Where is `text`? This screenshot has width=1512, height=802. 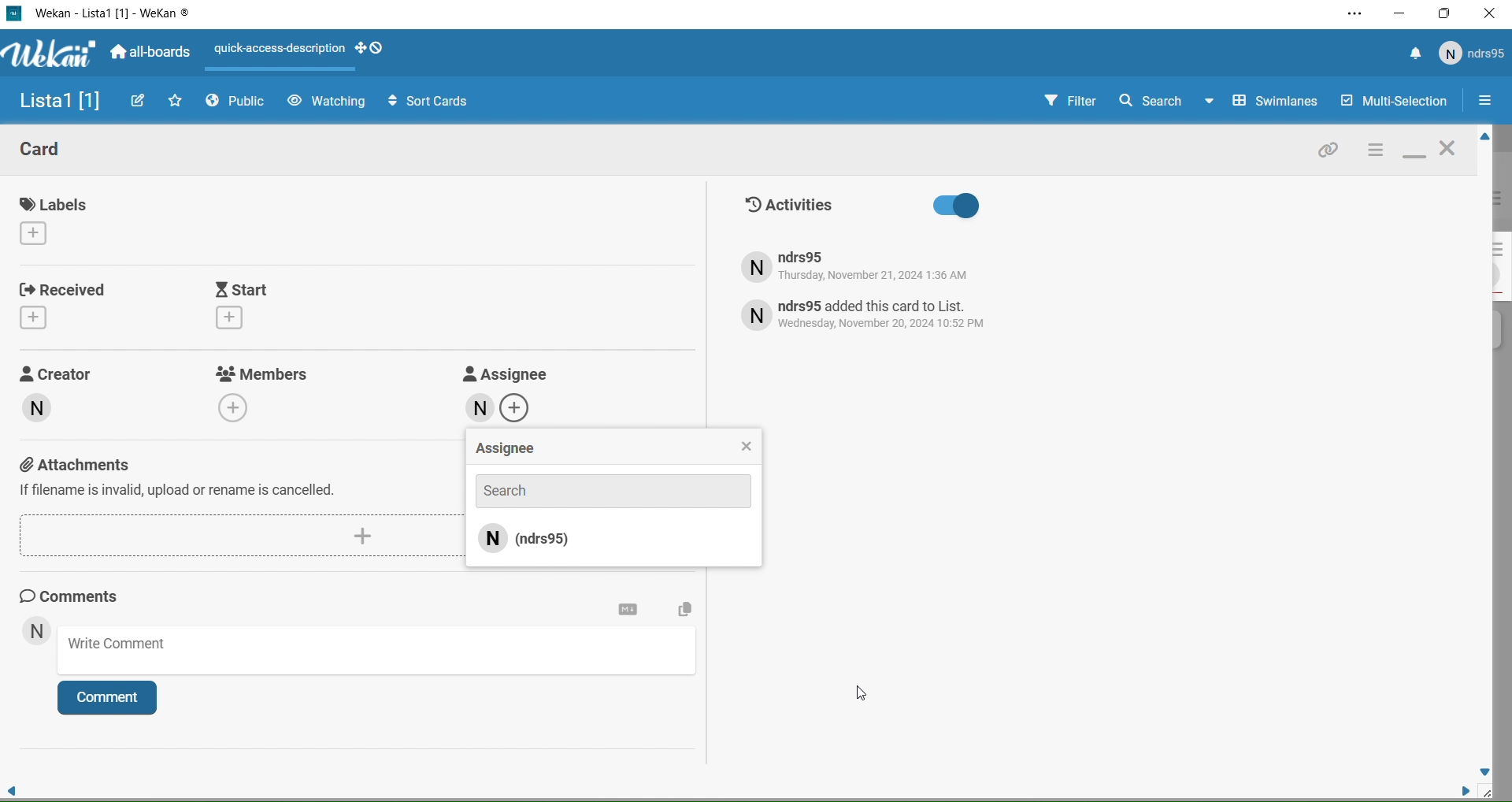
text is located at coordinates (868, 314).